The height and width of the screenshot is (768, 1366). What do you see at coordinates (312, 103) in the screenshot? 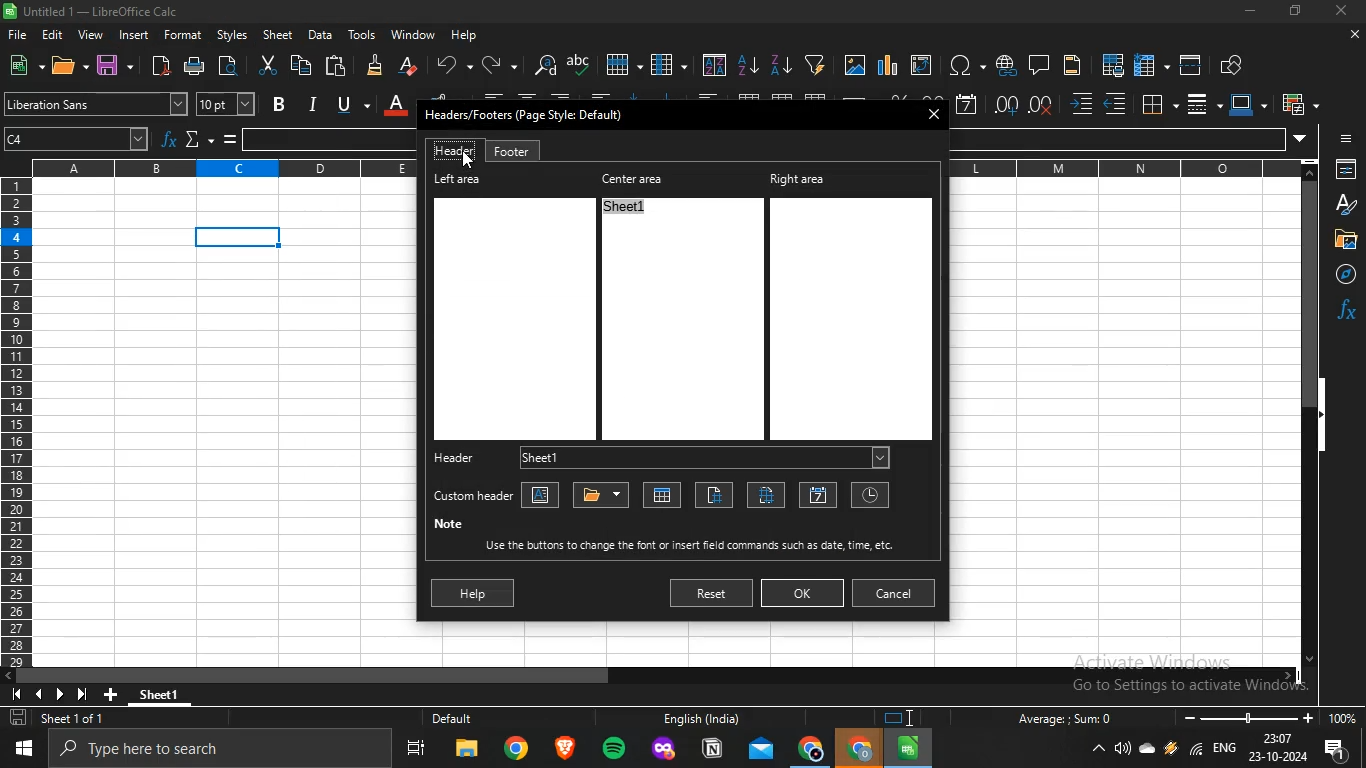
I see `italic` at bounding box center [312, 103].